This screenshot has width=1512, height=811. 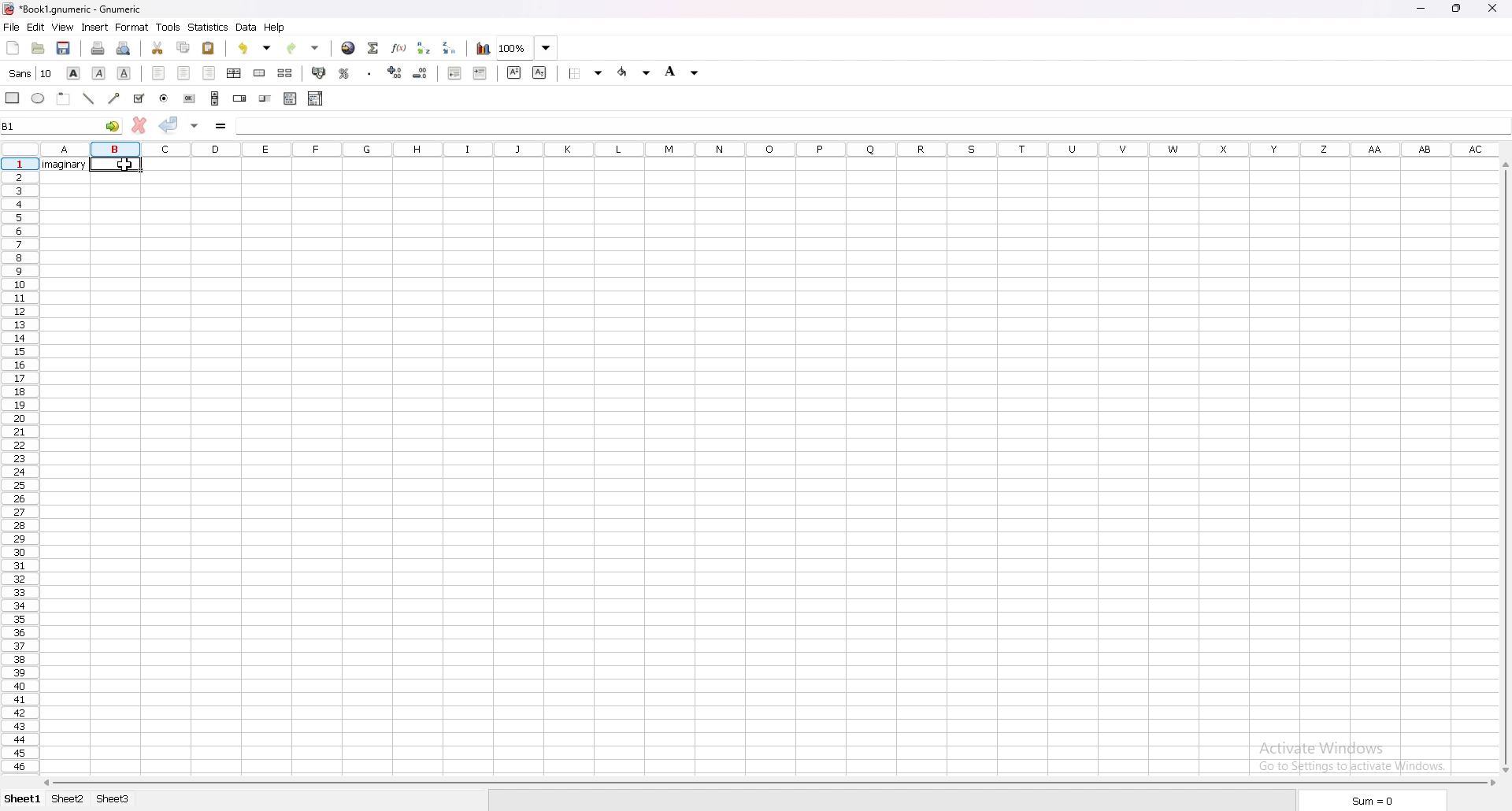 What do you see at coordinates (1458, 9) in the screenshot?
I see `resize` at bounding box center [1458, 9].